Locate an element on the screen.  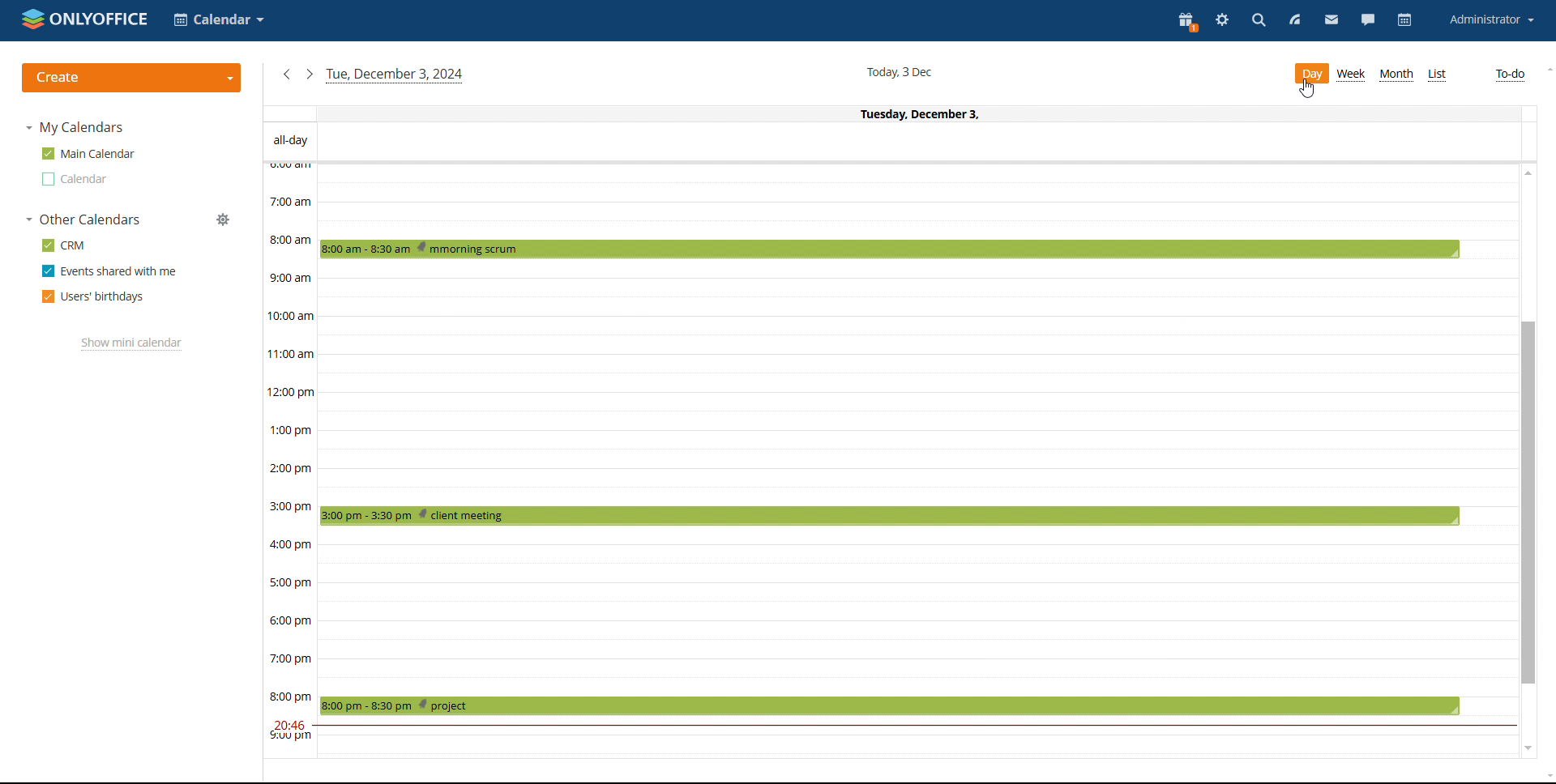
meetings is located at coordinates (888, 476).